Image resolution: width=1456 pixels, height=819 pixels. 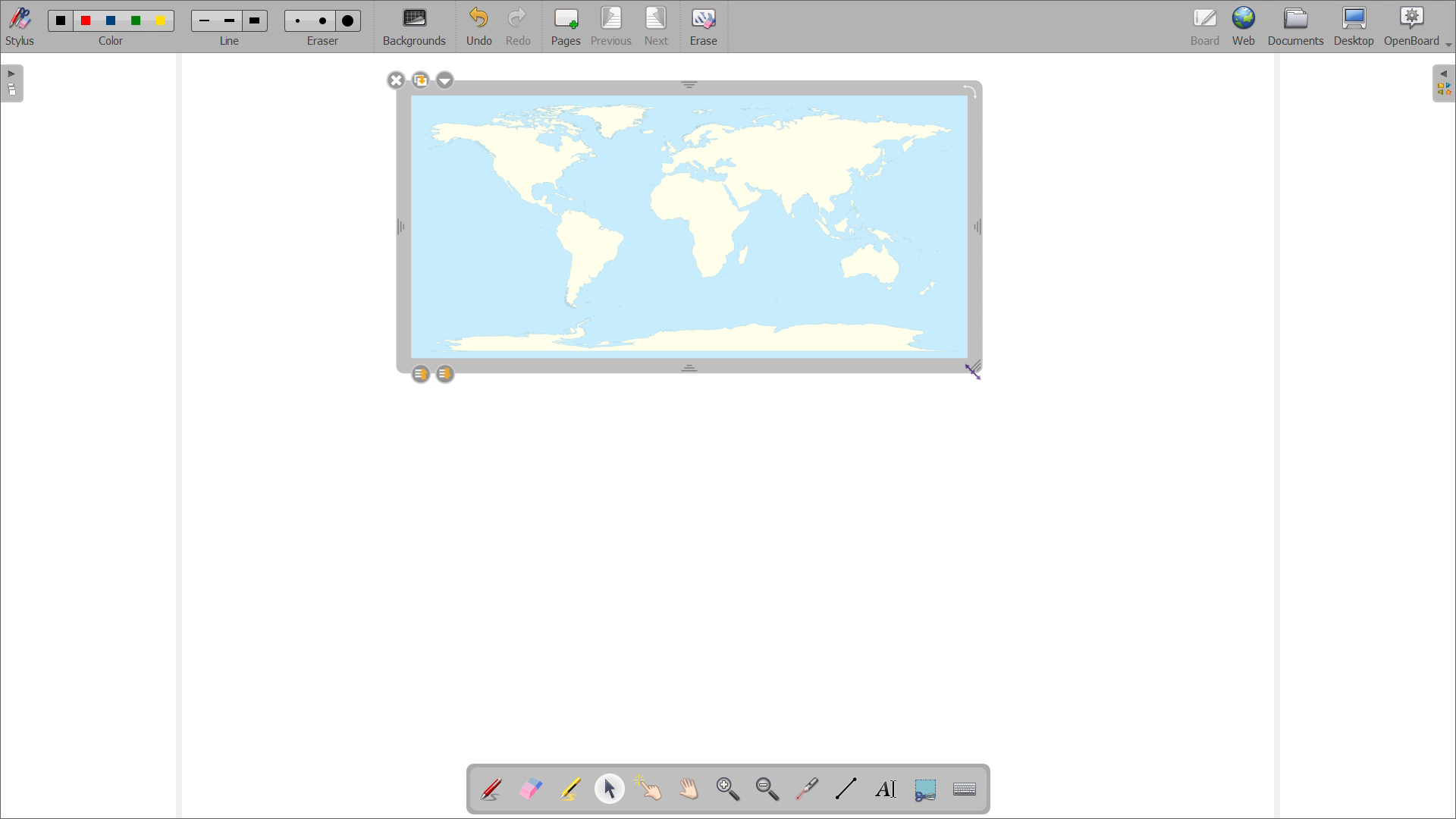 What do you see at coordinates (657, 26) in the screenshot?
I see `next page` at bounding box center [657, 26].